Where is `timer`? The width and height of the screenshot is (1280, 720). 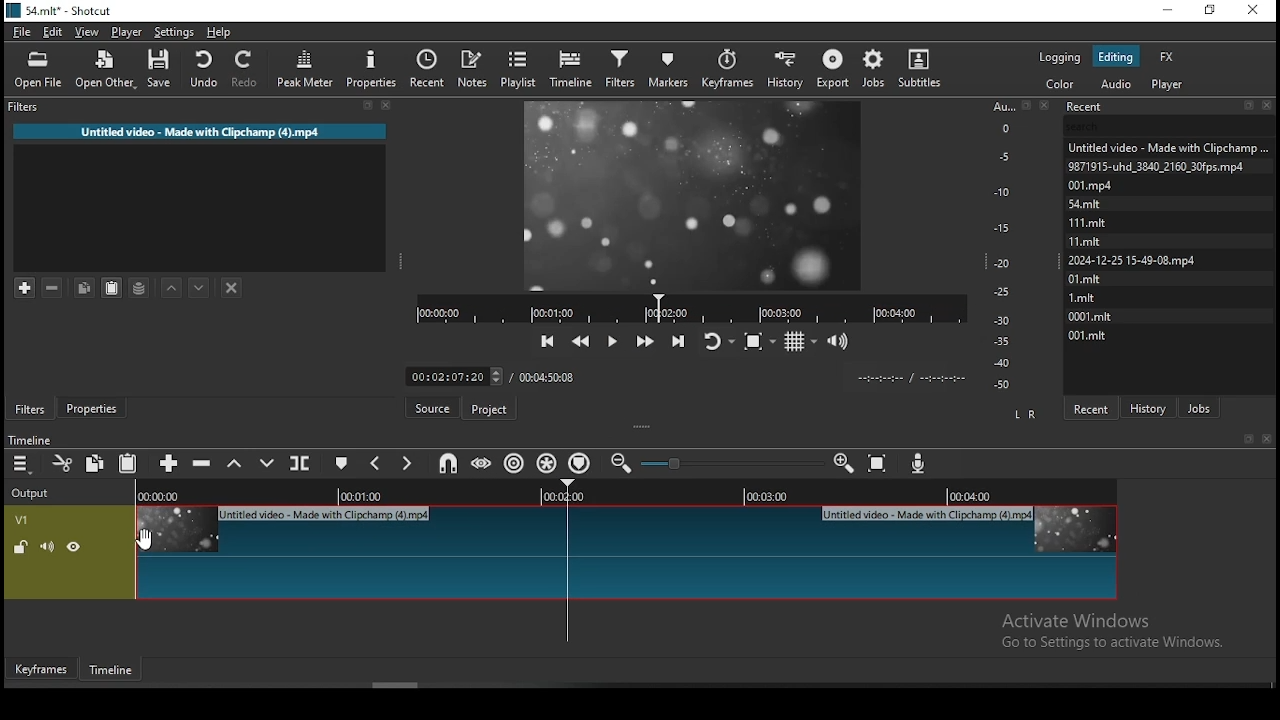
timer is located at coordinates (907, 378).